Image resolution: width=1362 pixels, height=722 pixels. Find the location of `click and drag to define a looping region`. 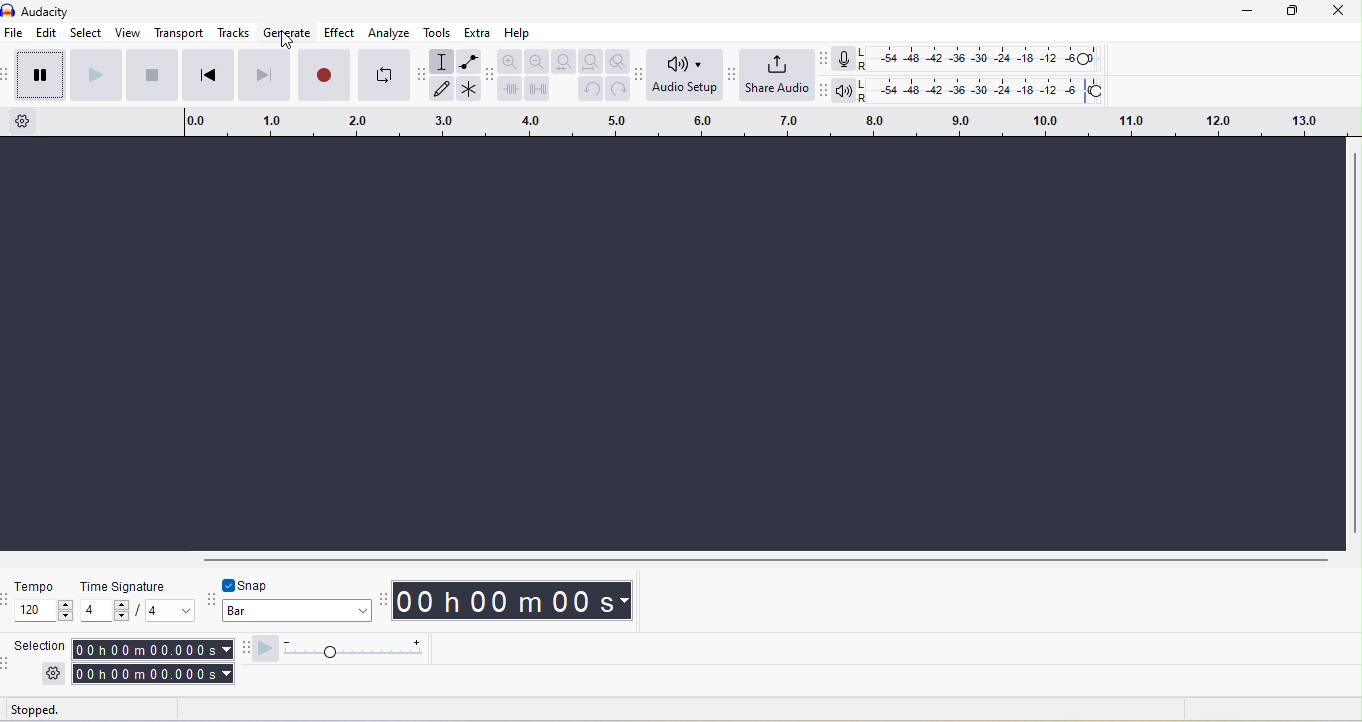

click and drag to define a looping region is located at coordinates (760, 120).